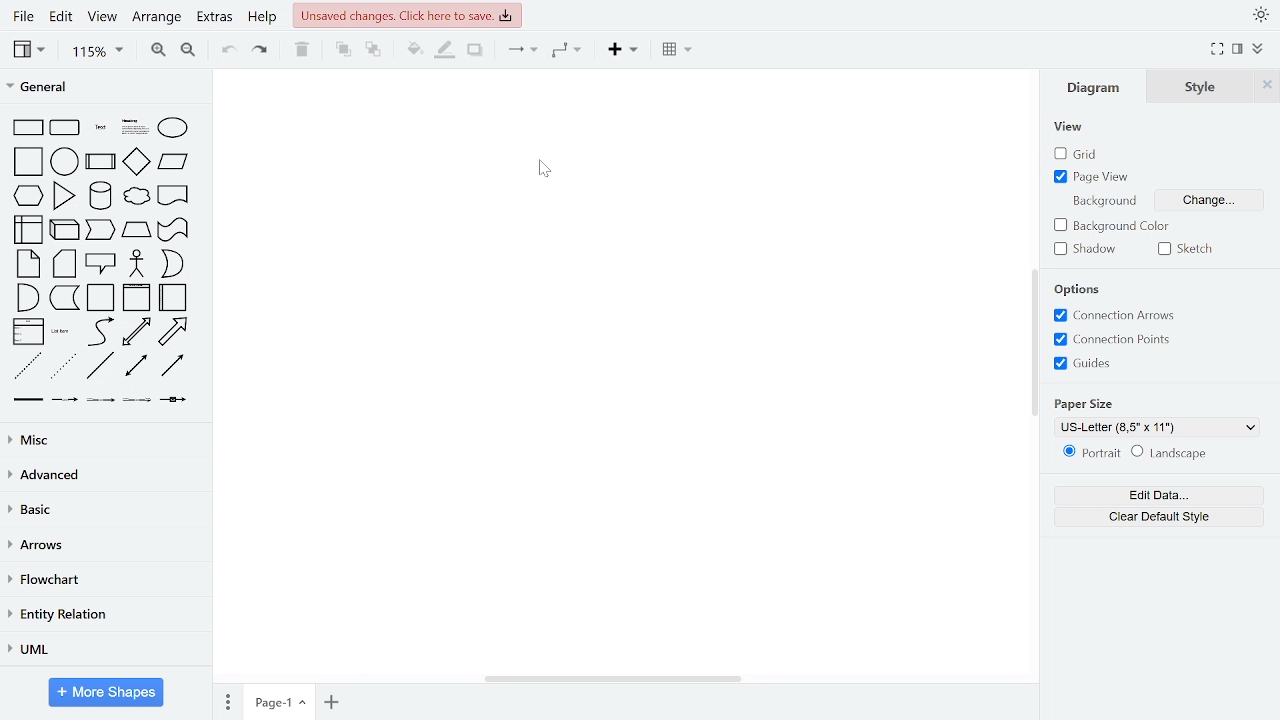  I want to click on file, so click(23, 16).